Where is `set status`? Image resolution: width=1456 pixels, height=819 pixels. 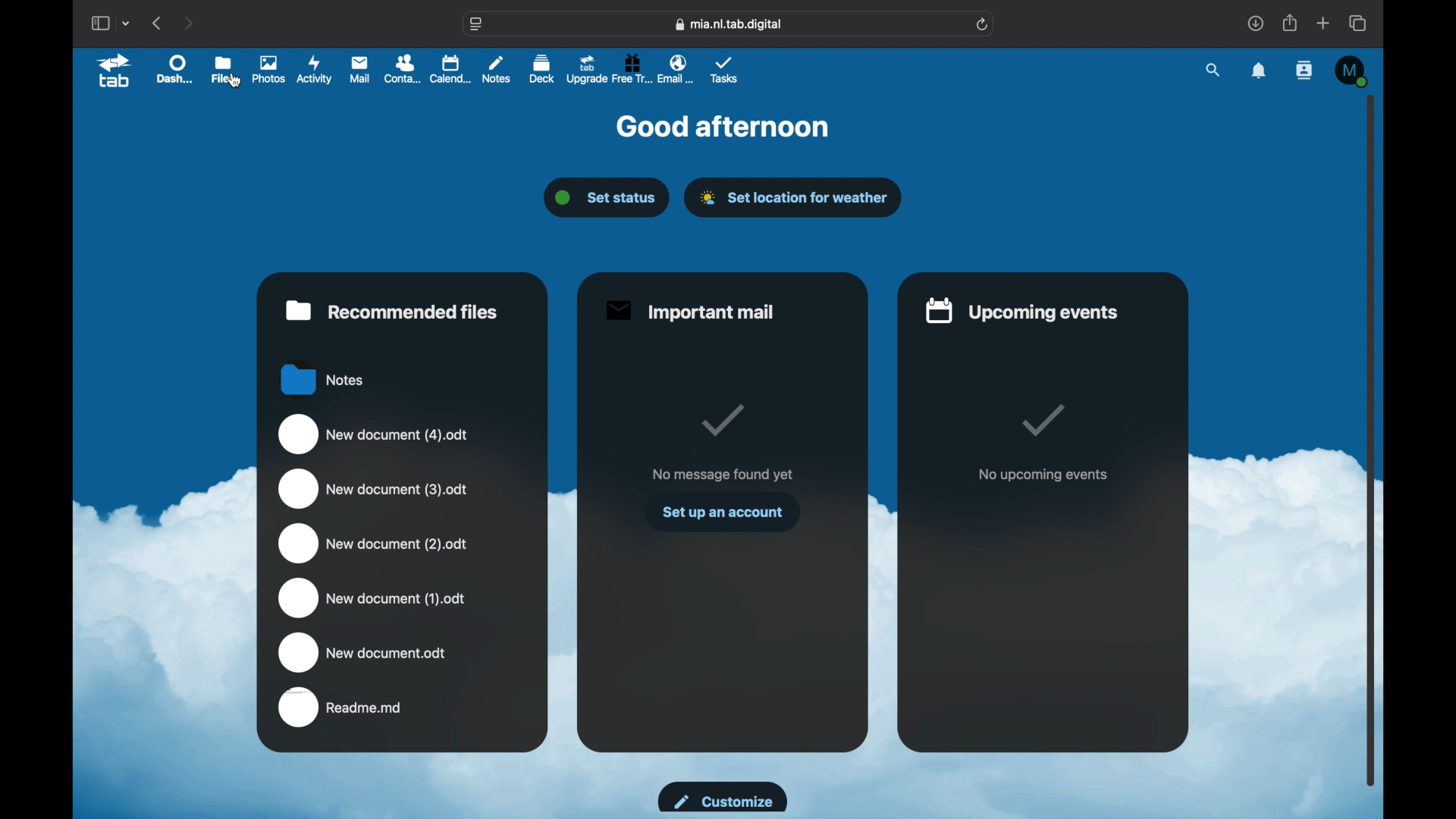
set status is located at coordinates (604, 196).